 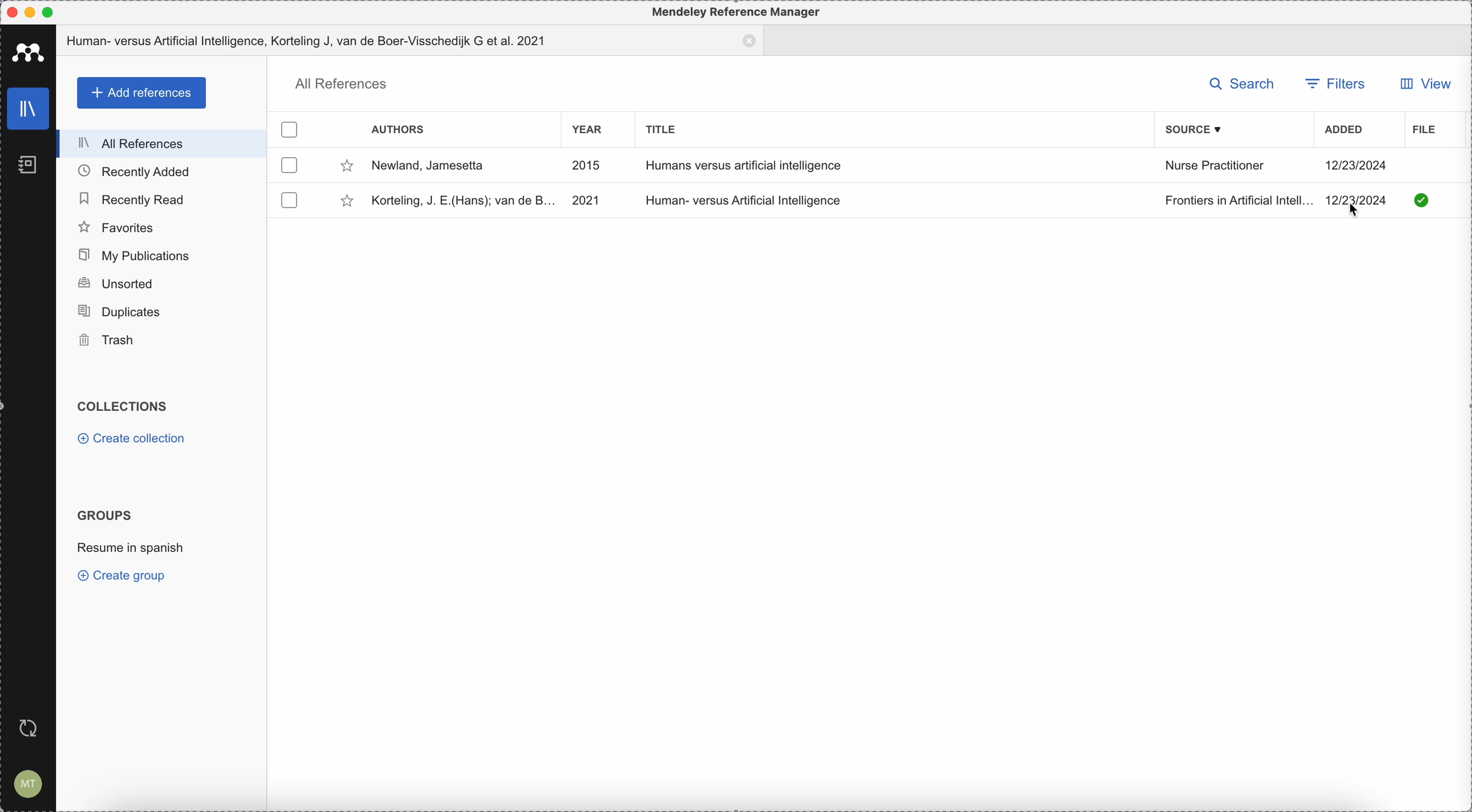 I want to click on source, so click(x=1197, y=130).